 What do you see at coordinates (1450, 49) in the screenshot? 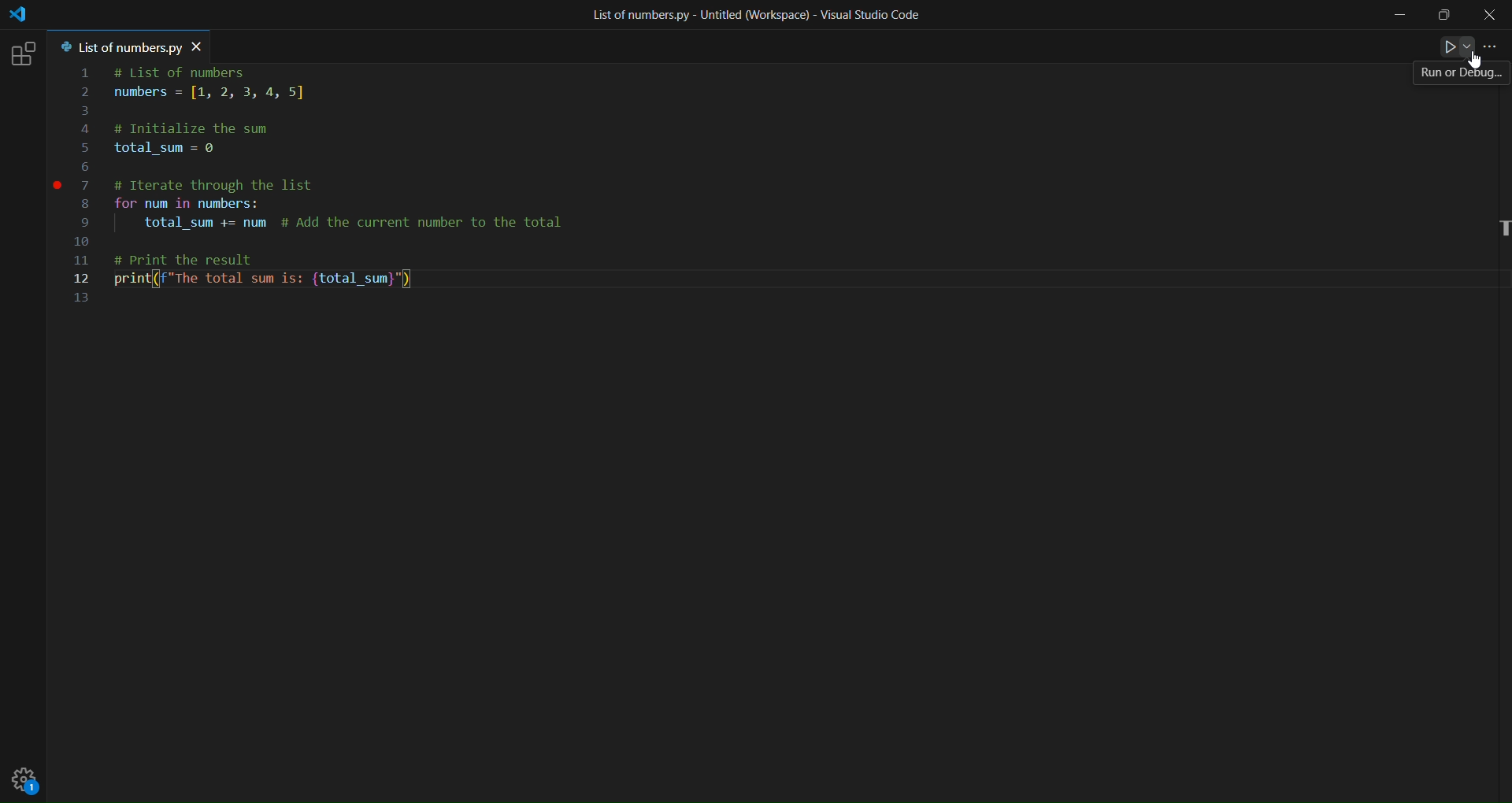
I see `run or debug` at bounding box center [1450, 49].